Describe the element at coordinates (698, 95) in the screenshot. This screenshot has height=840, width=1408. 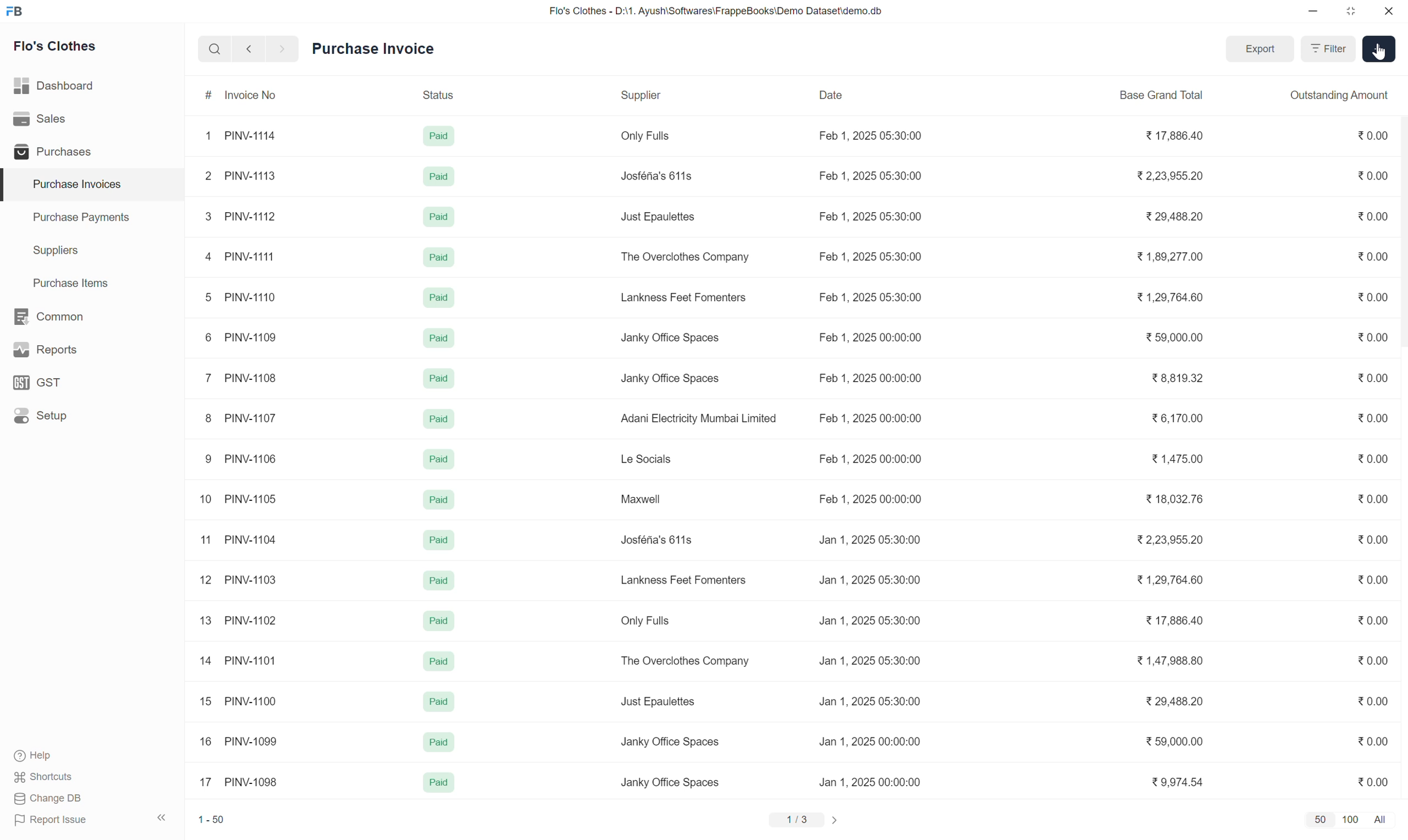
I see `Supplier` at that location.